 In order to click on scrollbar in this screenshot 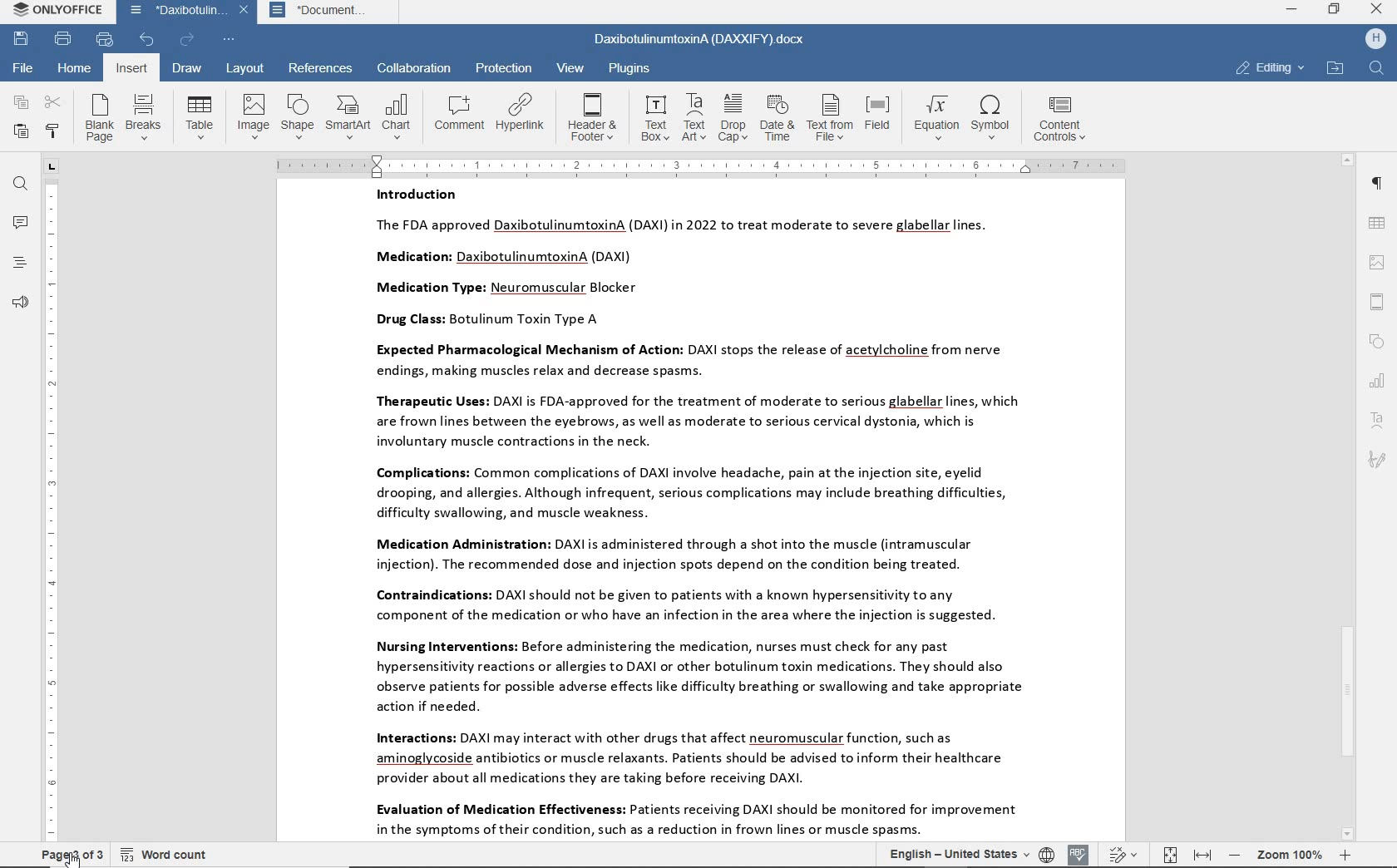, I will do `click(1348, 498)`.